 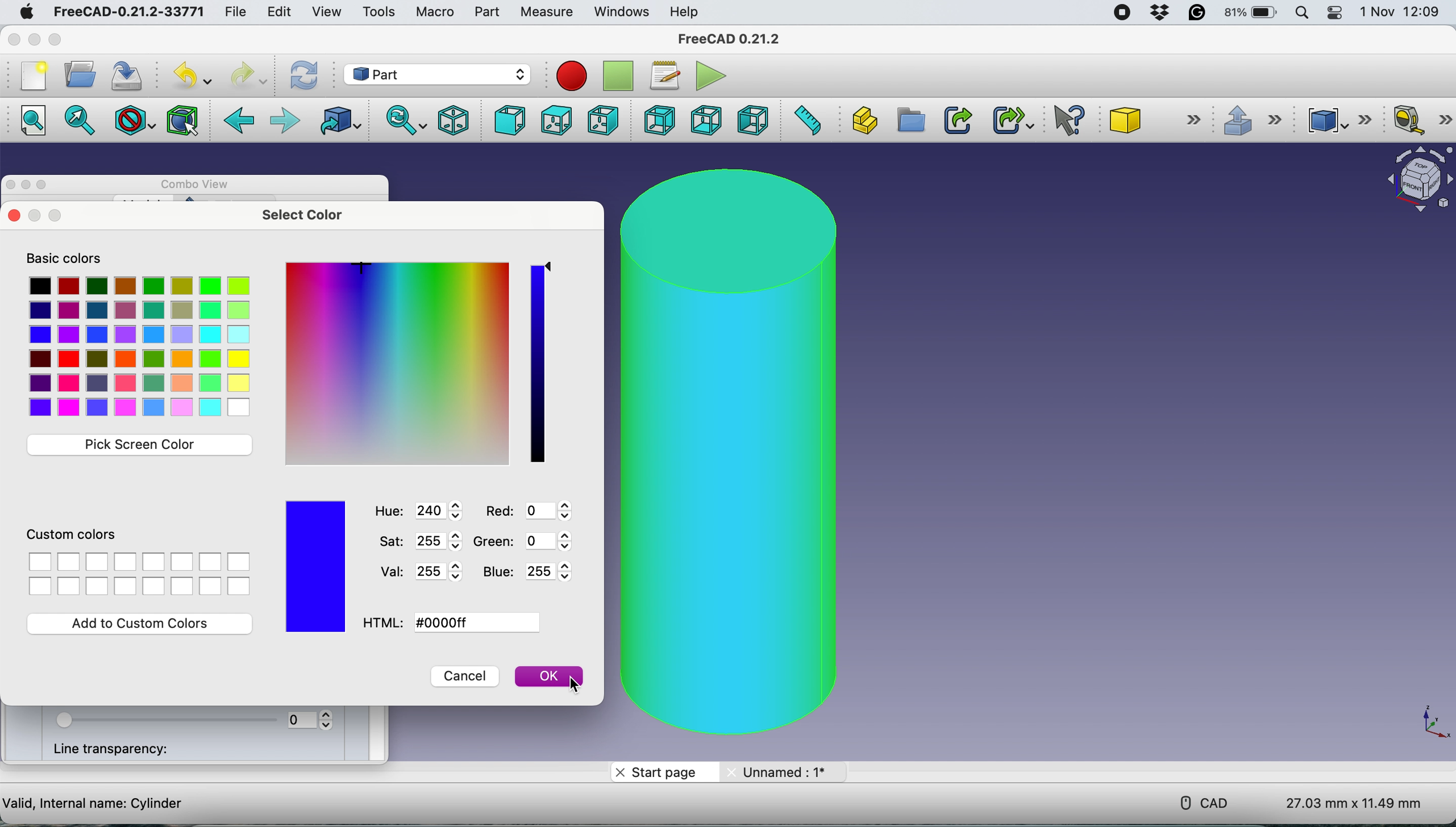 What do you see at coordinates (418, 513) in the screenshot?
I see `hue` at bounding box center [418, 513].